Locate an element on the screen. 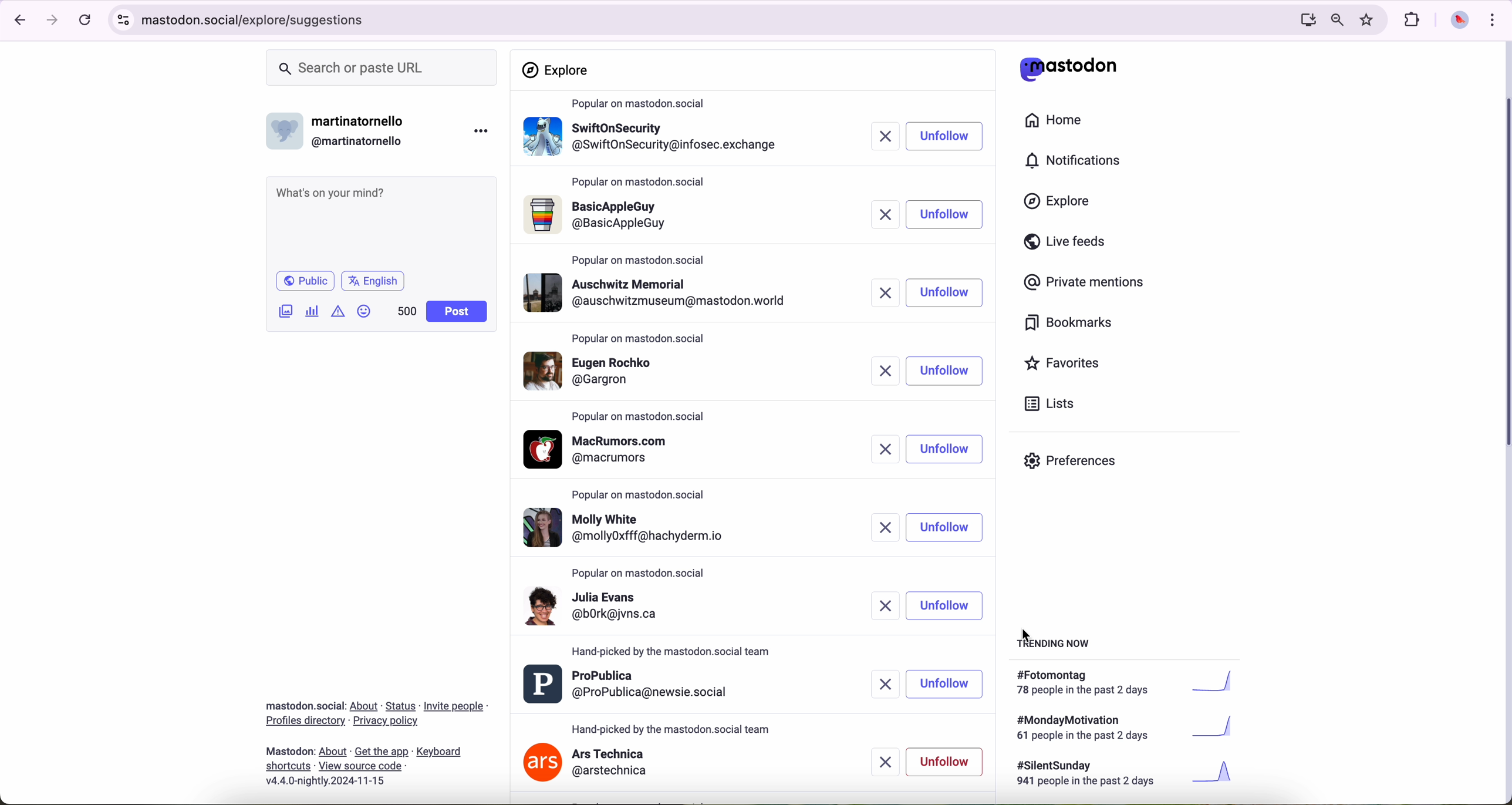 This screenshot has width=1512, height=805. notifications is located at coordinates (1078, 161).